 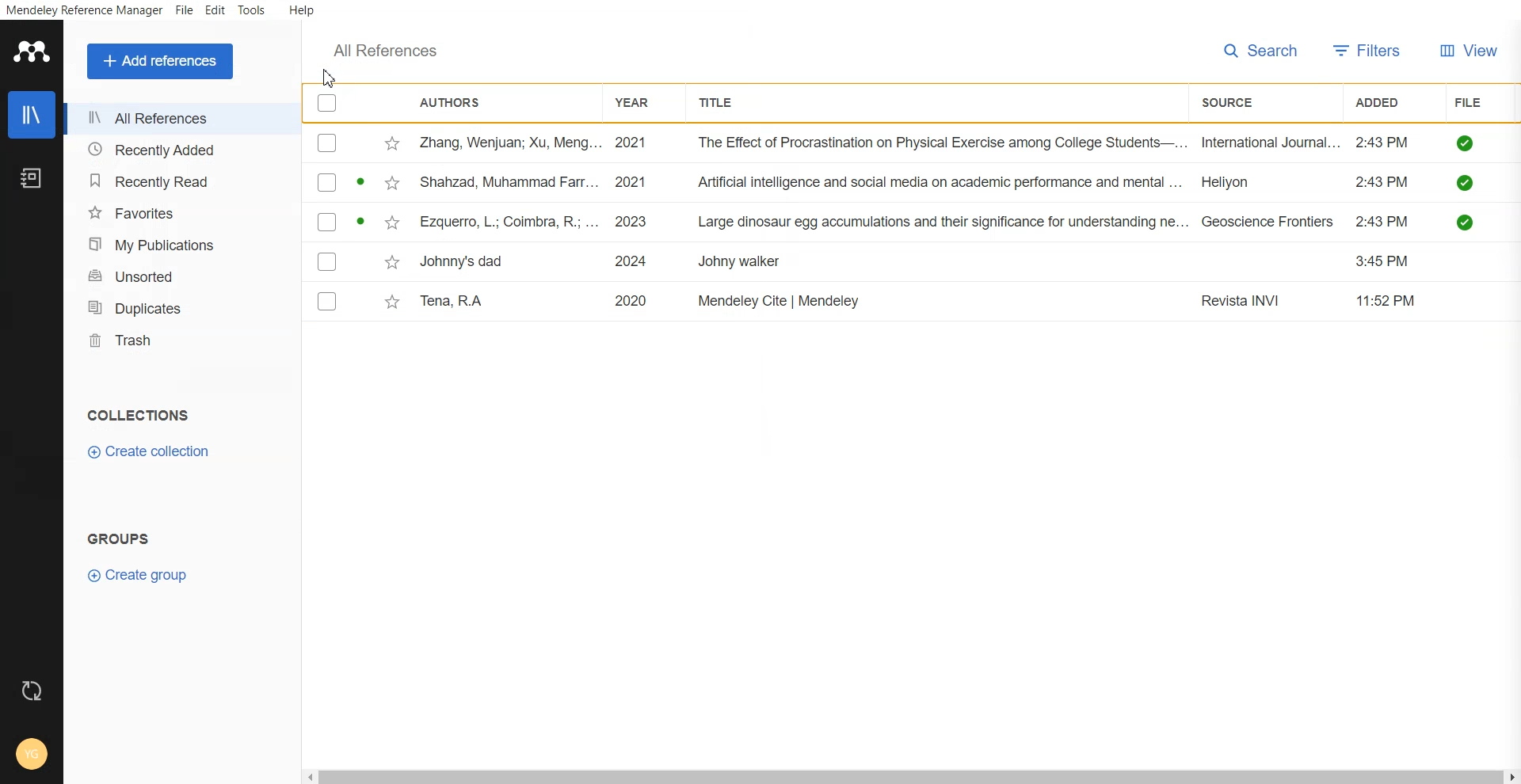 I want to click on Geoscience Frontiers, so click(x=1268, y=222).